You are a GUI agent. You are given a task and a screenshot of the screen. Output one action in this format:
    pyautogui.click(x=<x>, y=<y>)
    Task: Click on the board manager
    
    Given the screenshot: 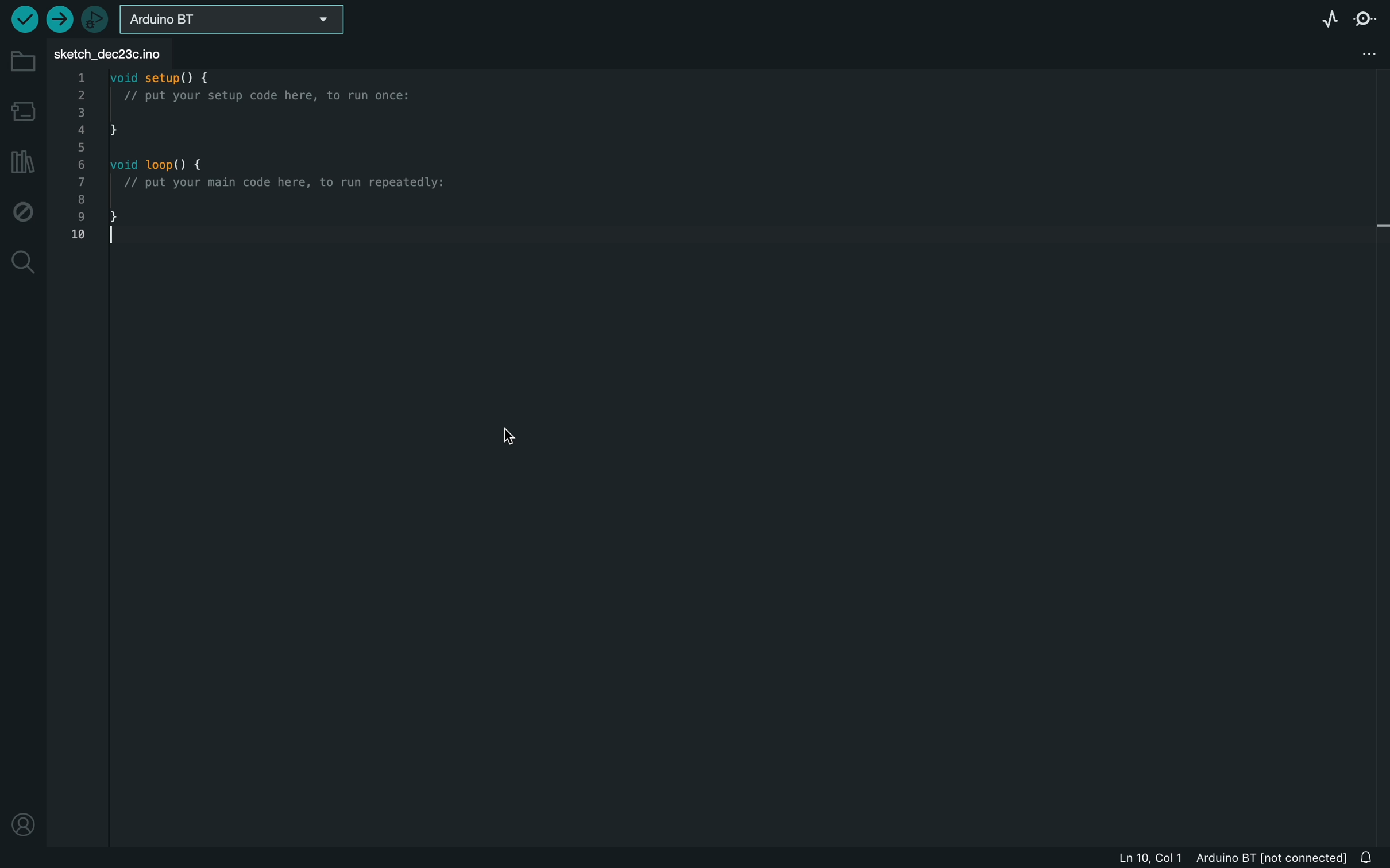 What is the action you would take?
    pyautogui.click(x=25, y=110)
    